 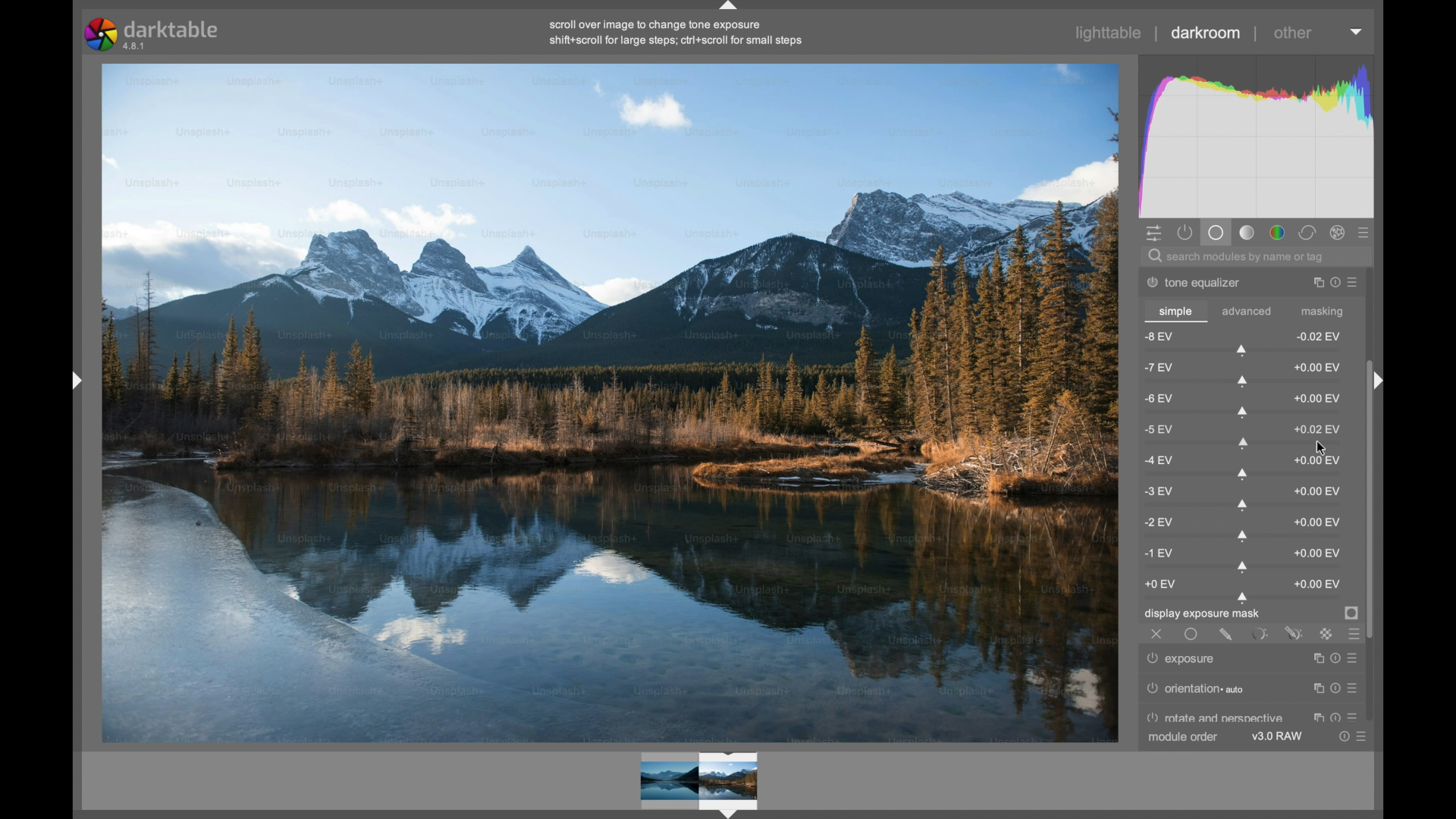 What do you see at coordinates (1159, 429) in the screenshot?
I see `-5 ev` at bounding box center [1159, 429].